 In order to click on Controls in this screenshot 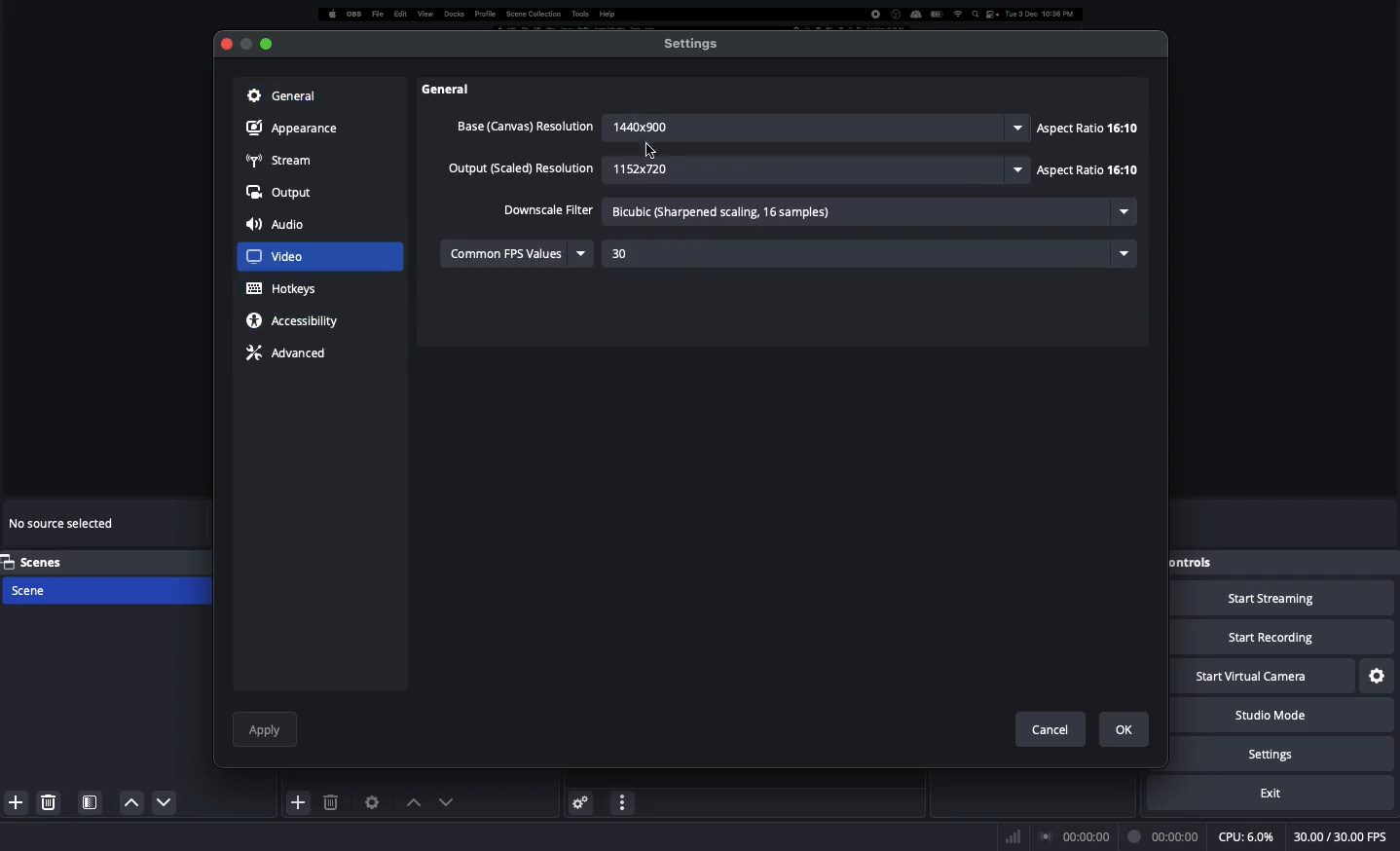, I will do `click(1195, 562)`.